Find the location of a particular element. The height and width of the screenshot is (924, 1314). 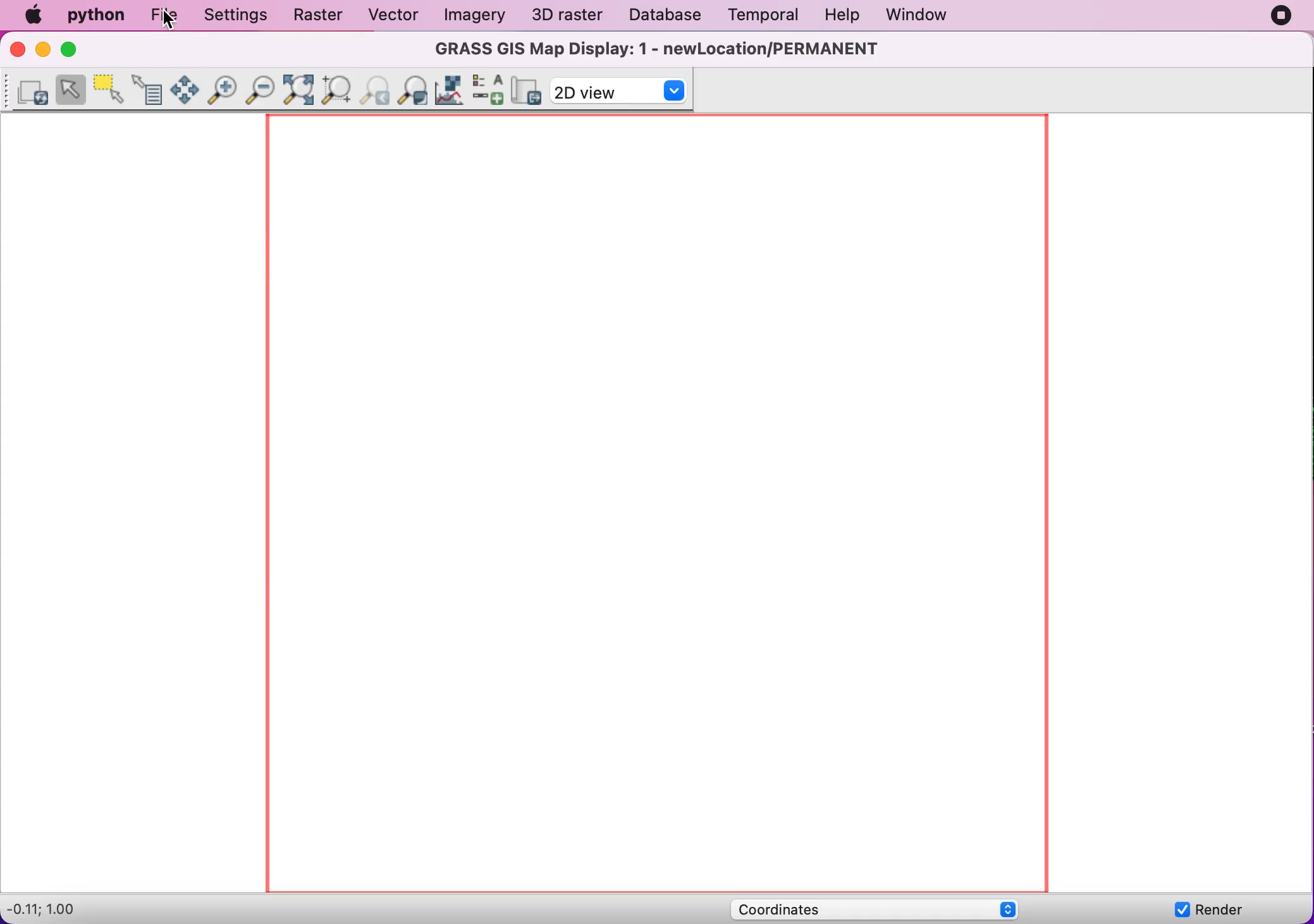

window is located at coordinates (927, 15).